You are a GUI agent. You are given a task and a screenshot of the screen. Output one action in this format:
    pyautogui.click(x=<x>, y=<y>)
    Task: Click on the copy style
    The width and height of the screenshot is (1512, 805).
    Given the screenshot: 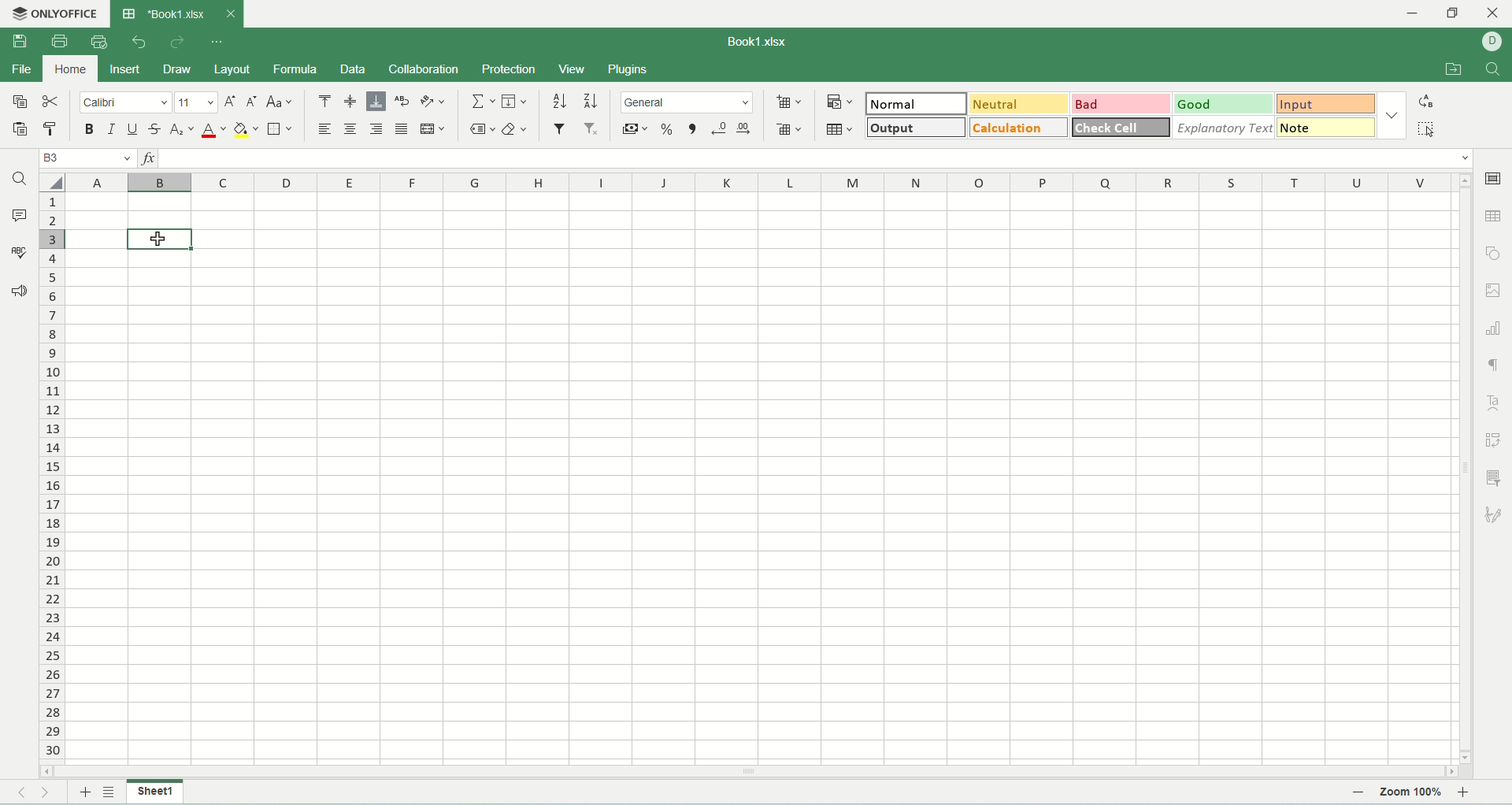 What is the action you would take?
    pyautogui.click(x=54, y=131)
    